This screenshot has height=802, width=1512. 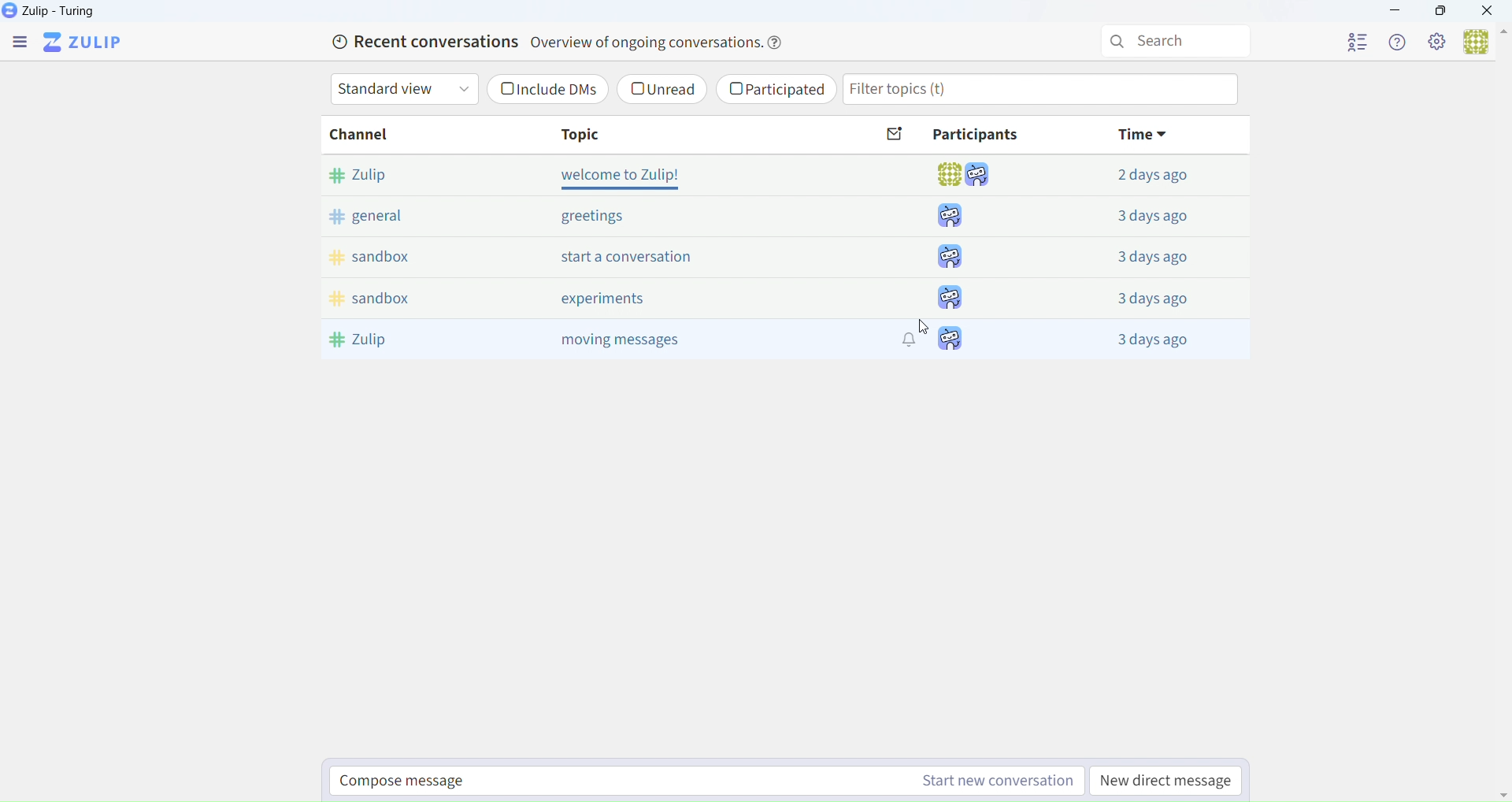 I want to click on notify, so click(x=910, y=345).